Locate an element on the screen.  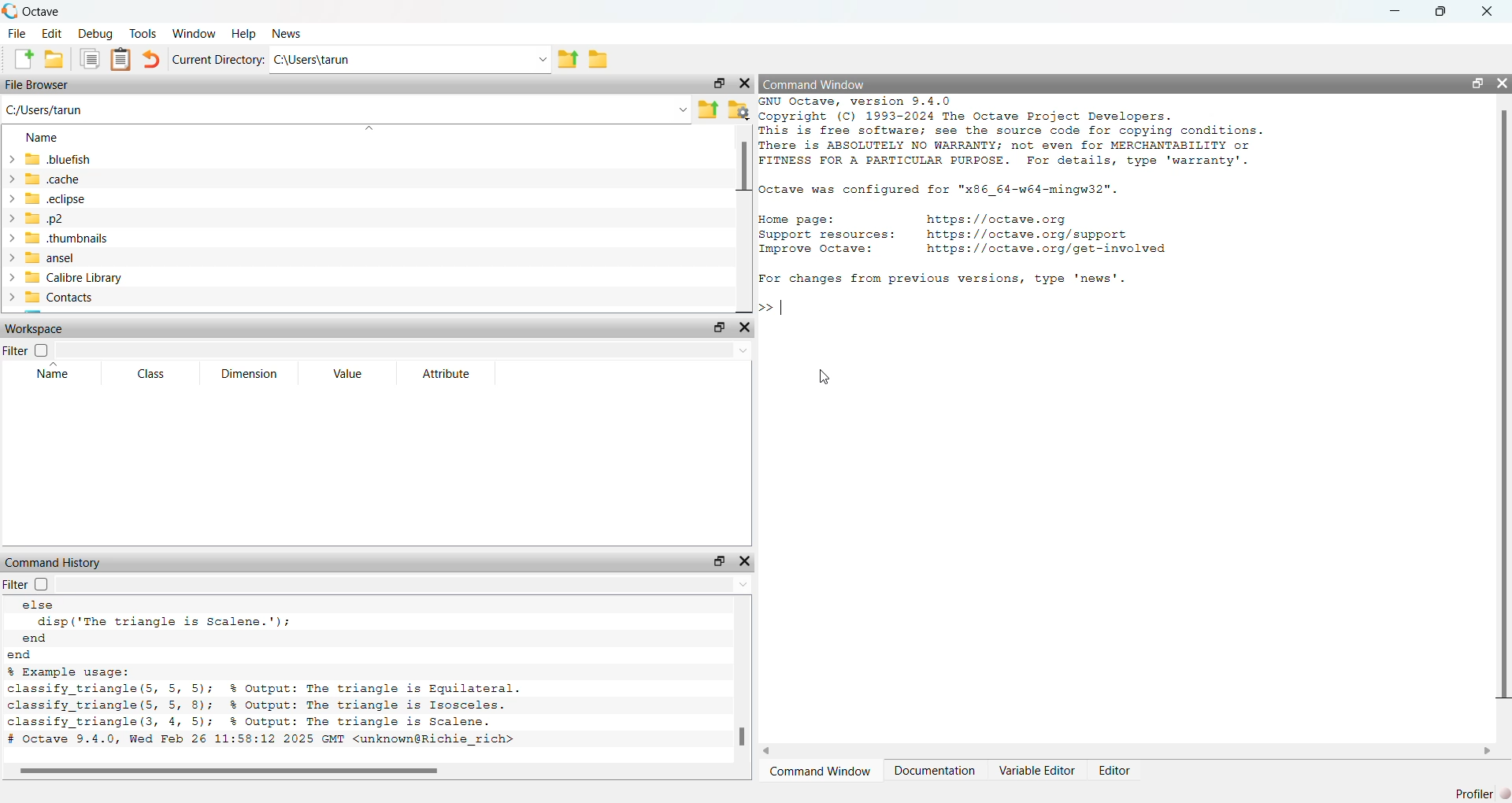
move right is located at coordinates (1487, 750).